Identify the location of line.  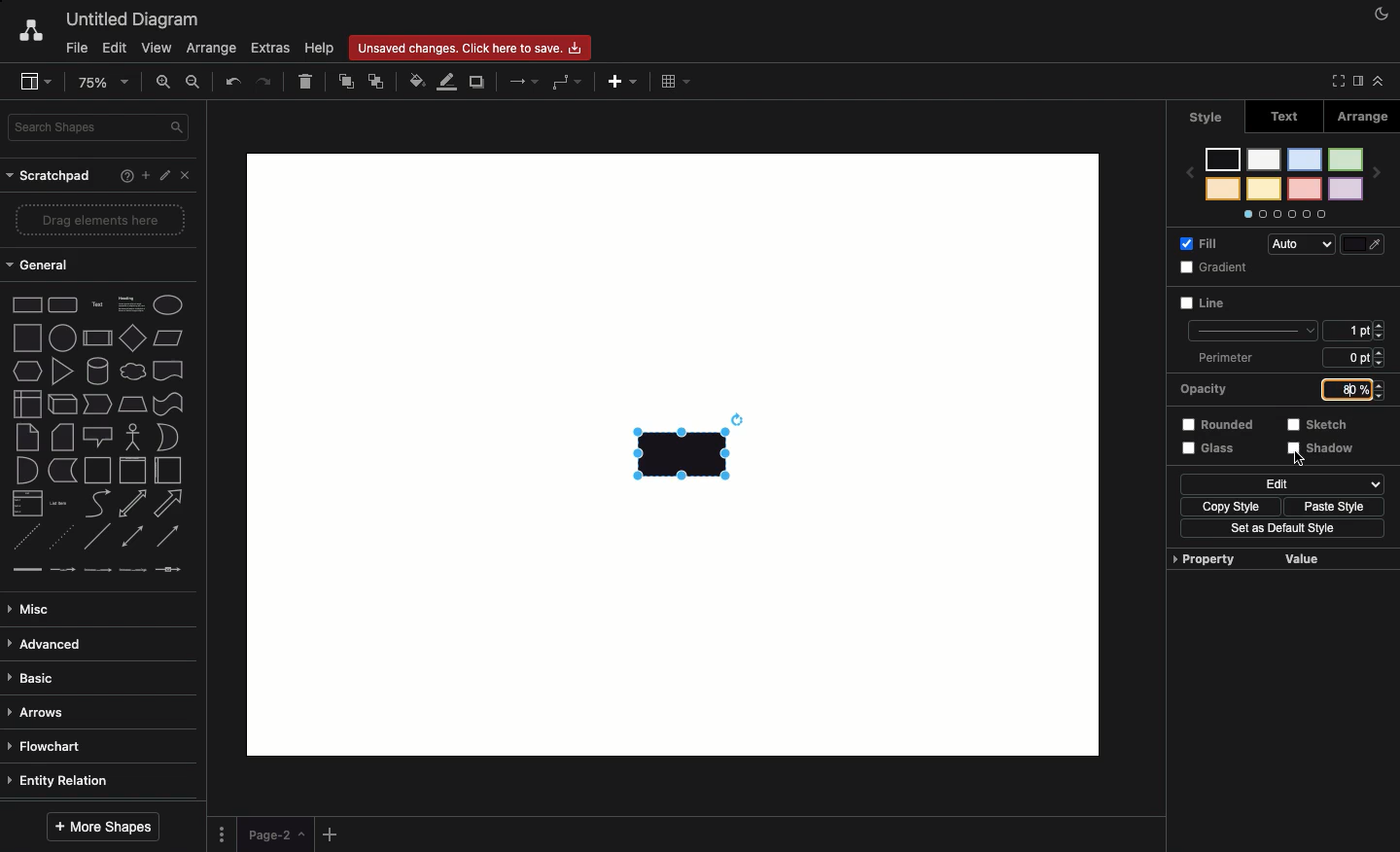
(96, 538).